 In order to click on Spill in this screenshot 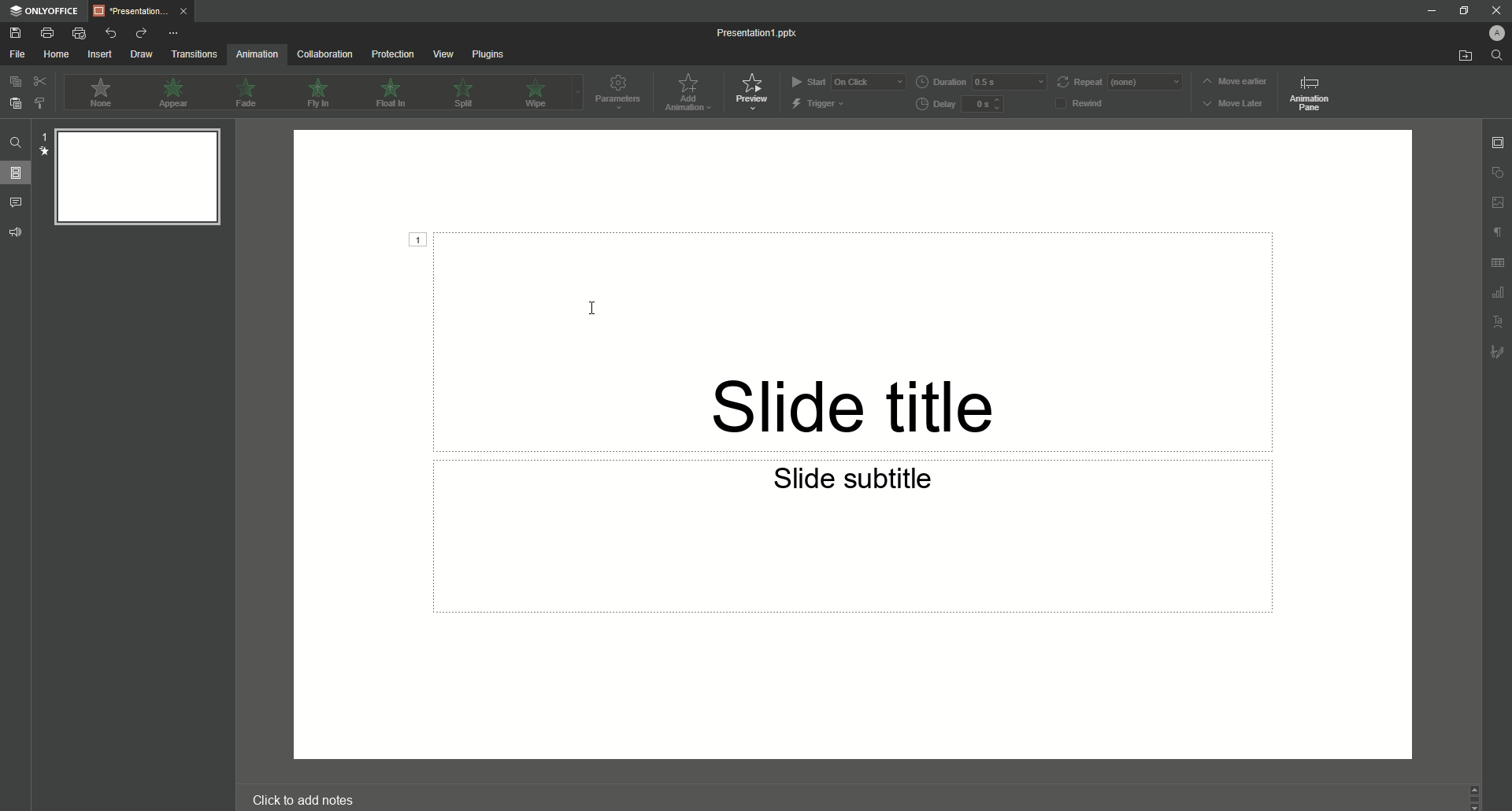, I will do `click(465, 97)`.